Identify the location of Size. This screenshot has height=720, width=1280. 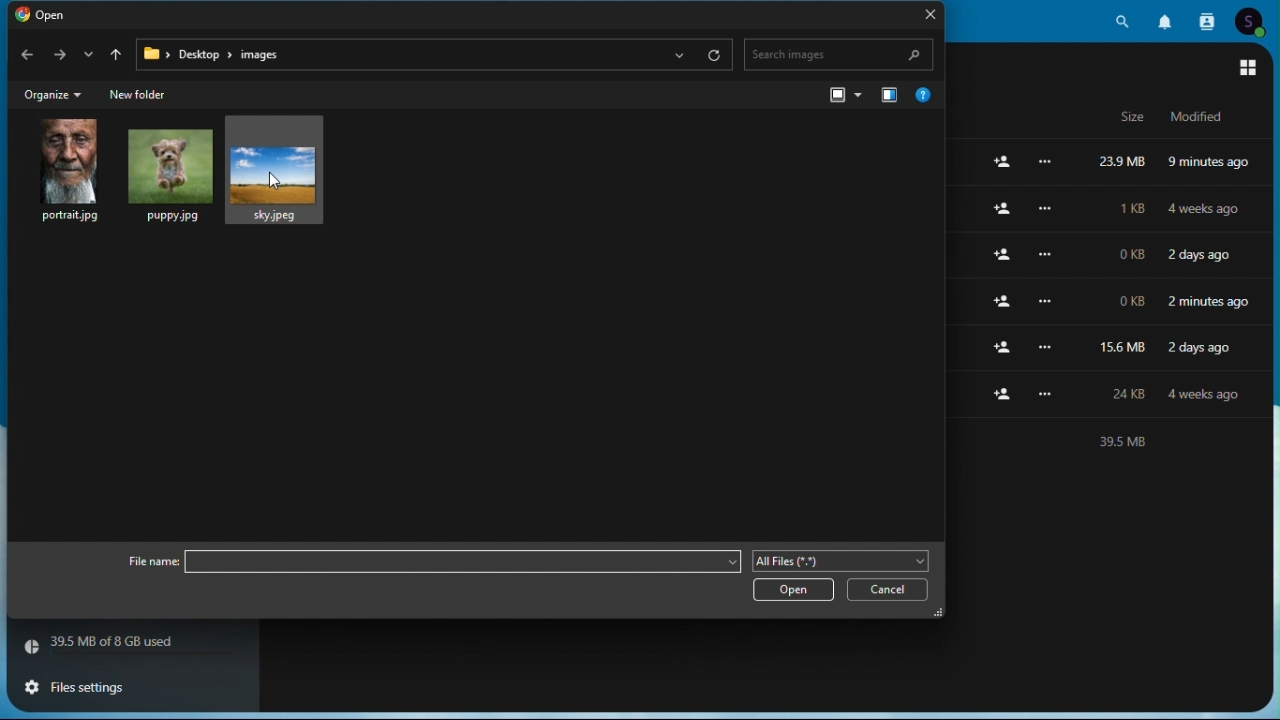
(1133, 118).